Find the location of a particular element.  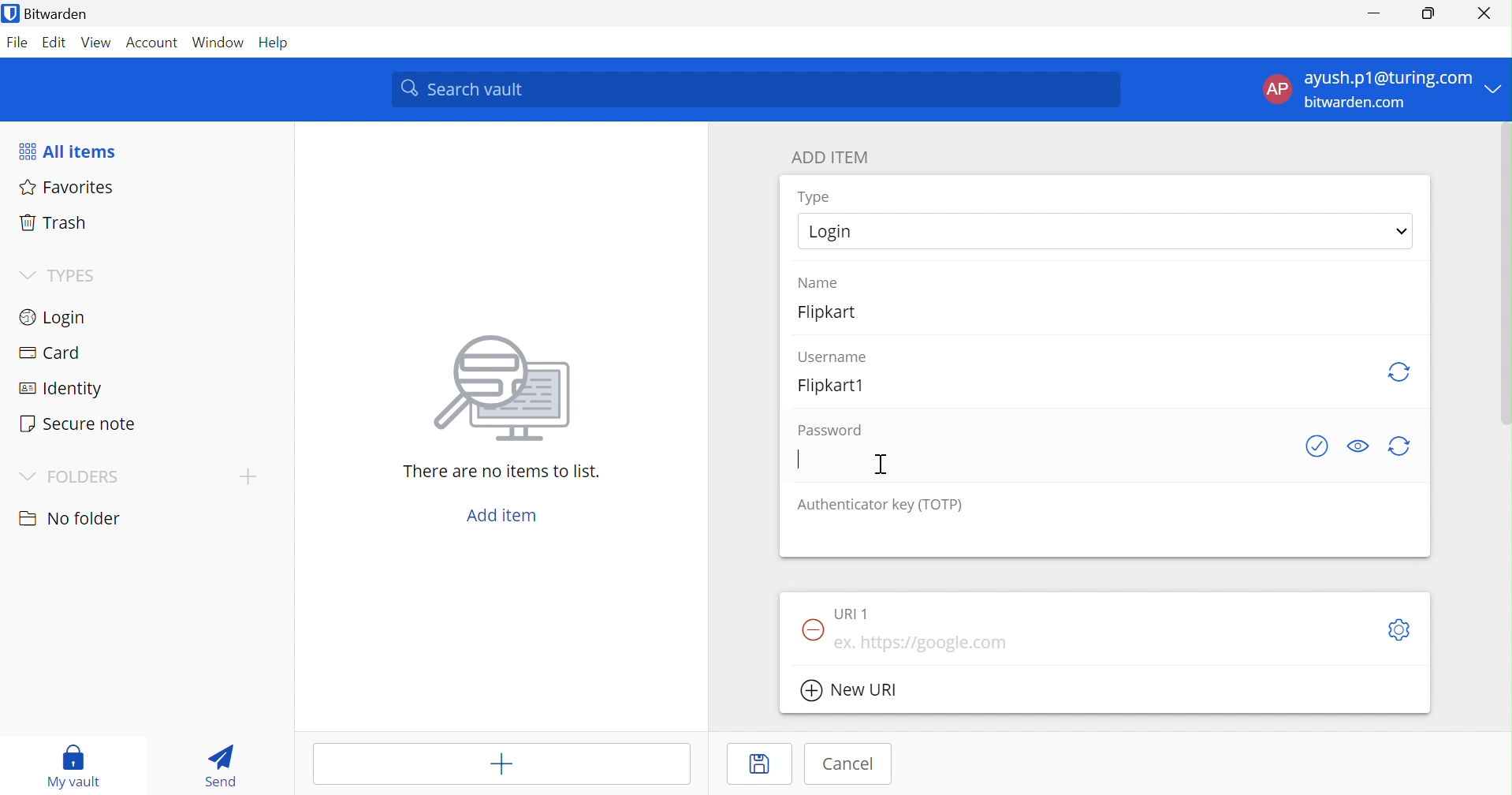

image is located at coordinates (509, 389).